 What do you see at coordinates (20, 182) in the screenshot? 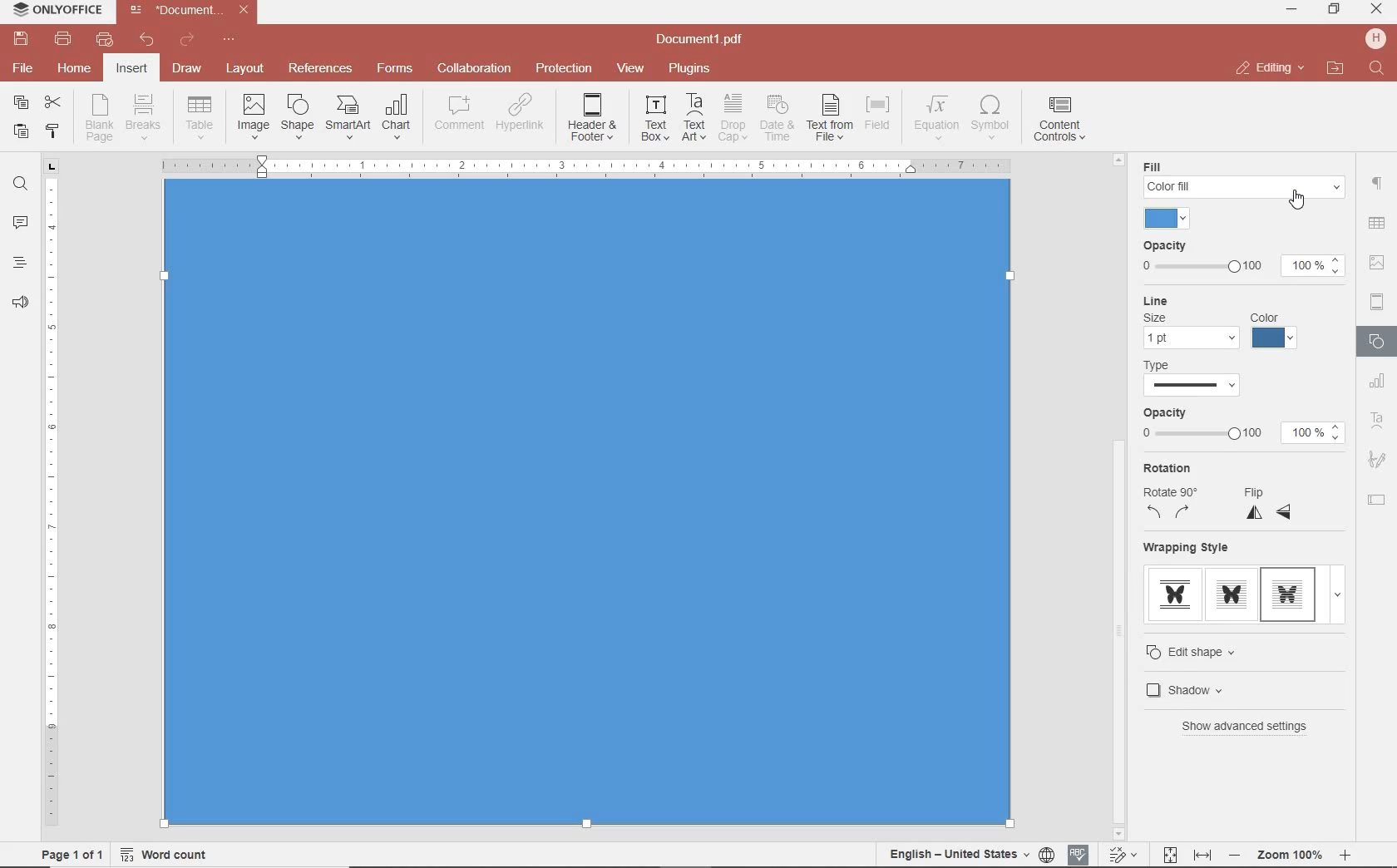
I see `find` at bounding box center [20, 182].